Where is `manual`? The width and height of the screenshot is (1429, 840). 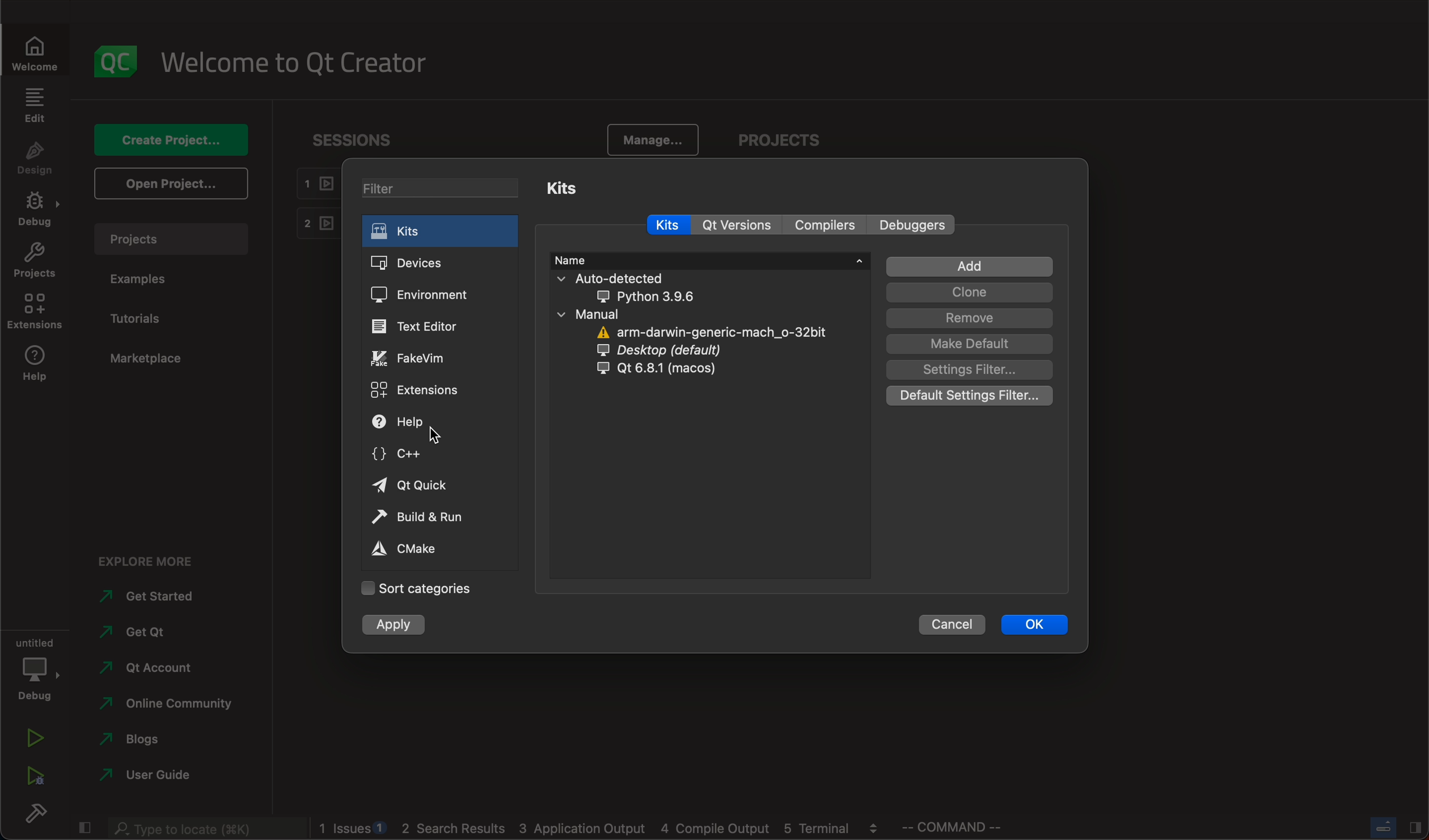
manual is located at coordinates (644, 315).